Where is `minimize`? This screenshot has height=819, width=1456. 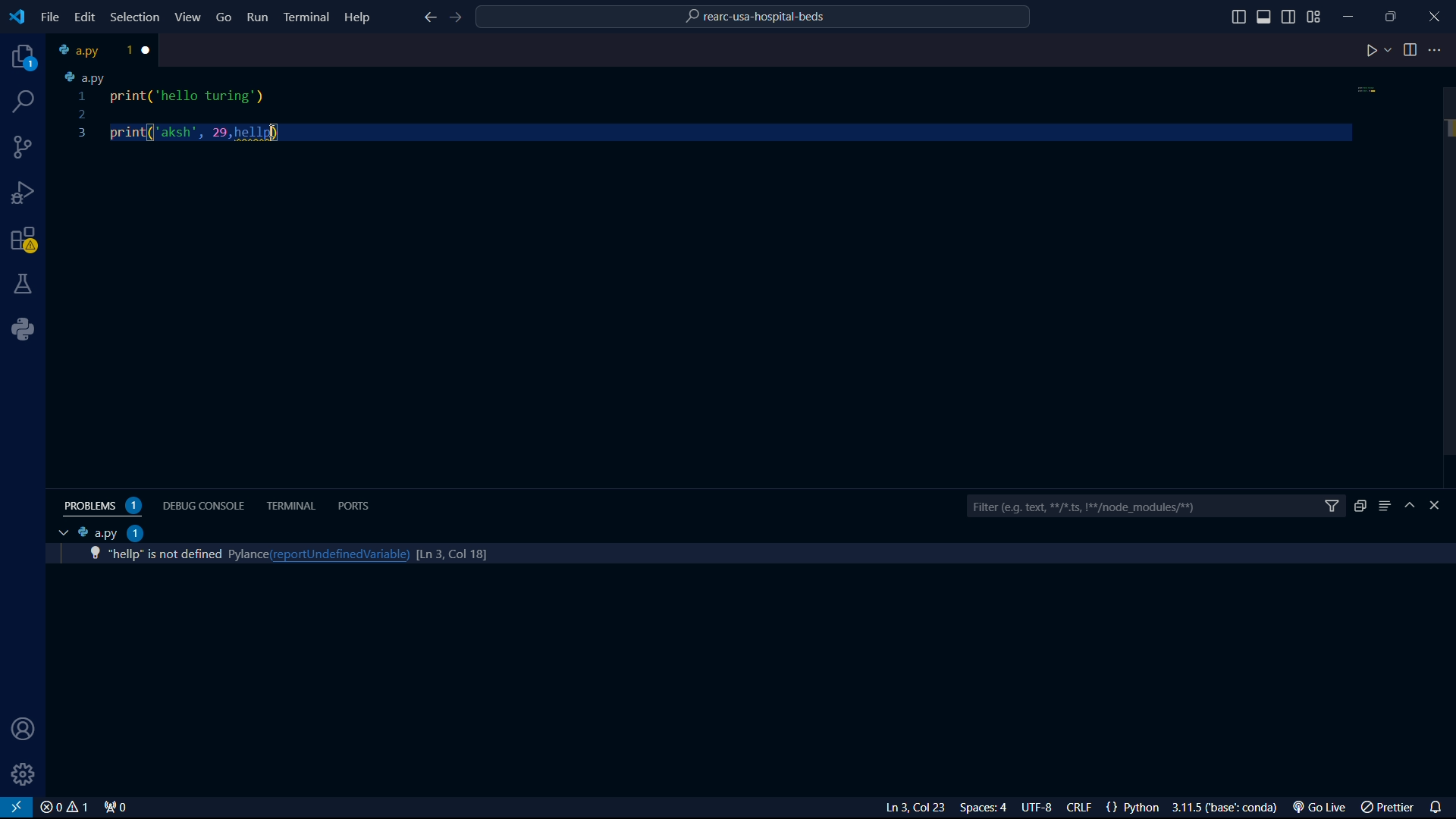
minimize is located at coordinates (1353, 13).